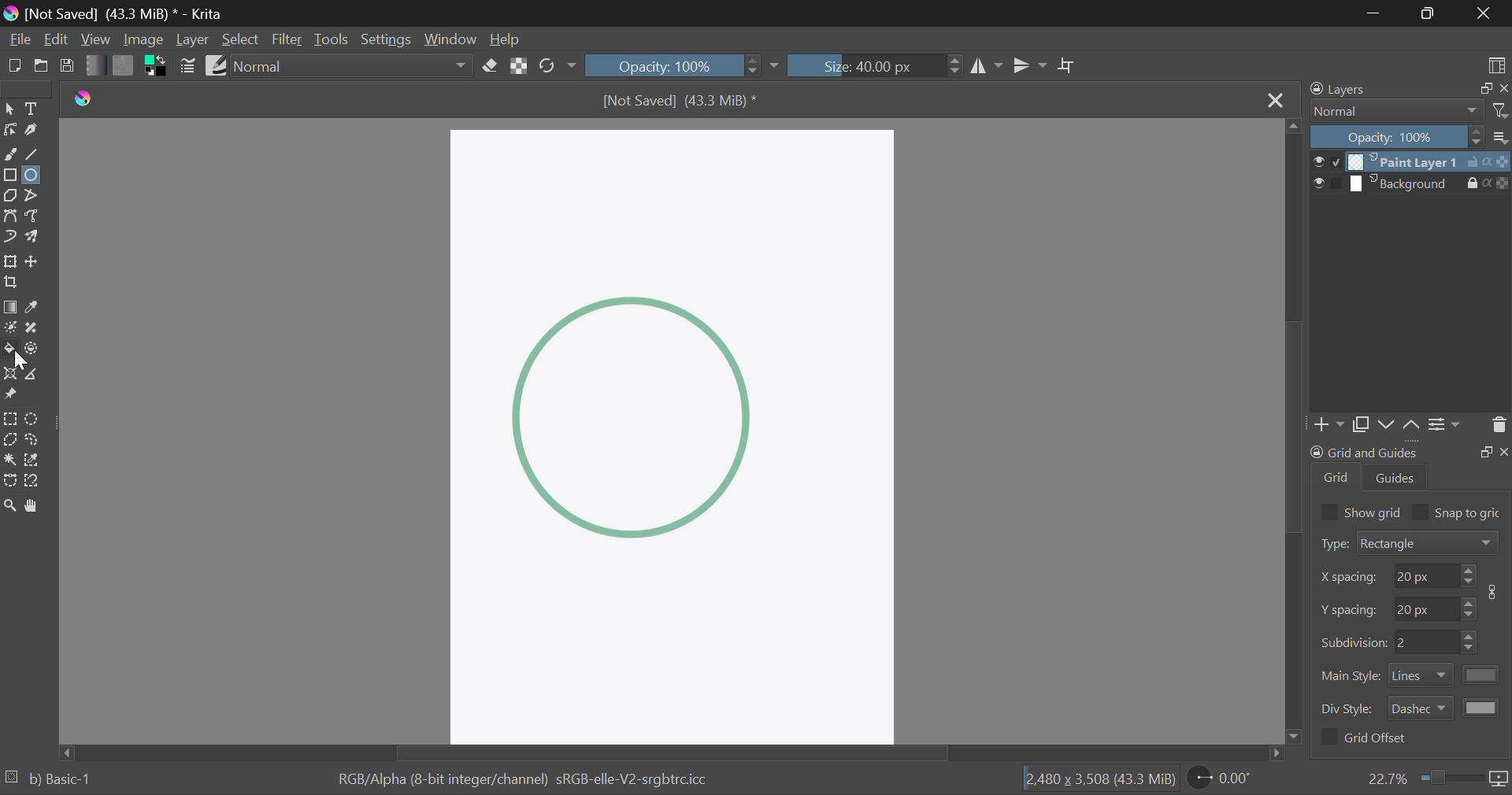 This screenshot has width=1512, height=795. Describe the element at coordinates (873, 65) in the screenshot. I see `Brush Size` at that location.